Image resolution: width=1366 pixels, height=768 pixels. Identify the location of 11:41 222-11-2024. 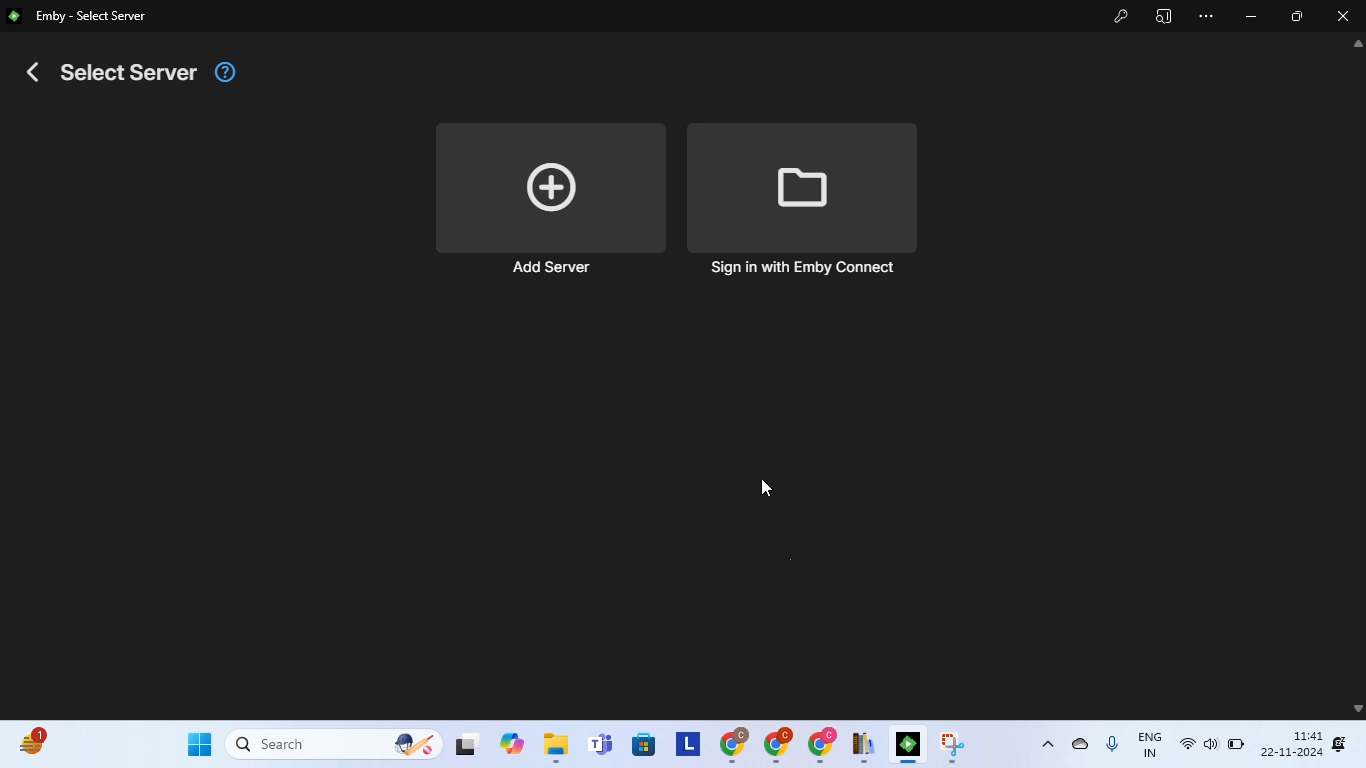
(1291, 742).